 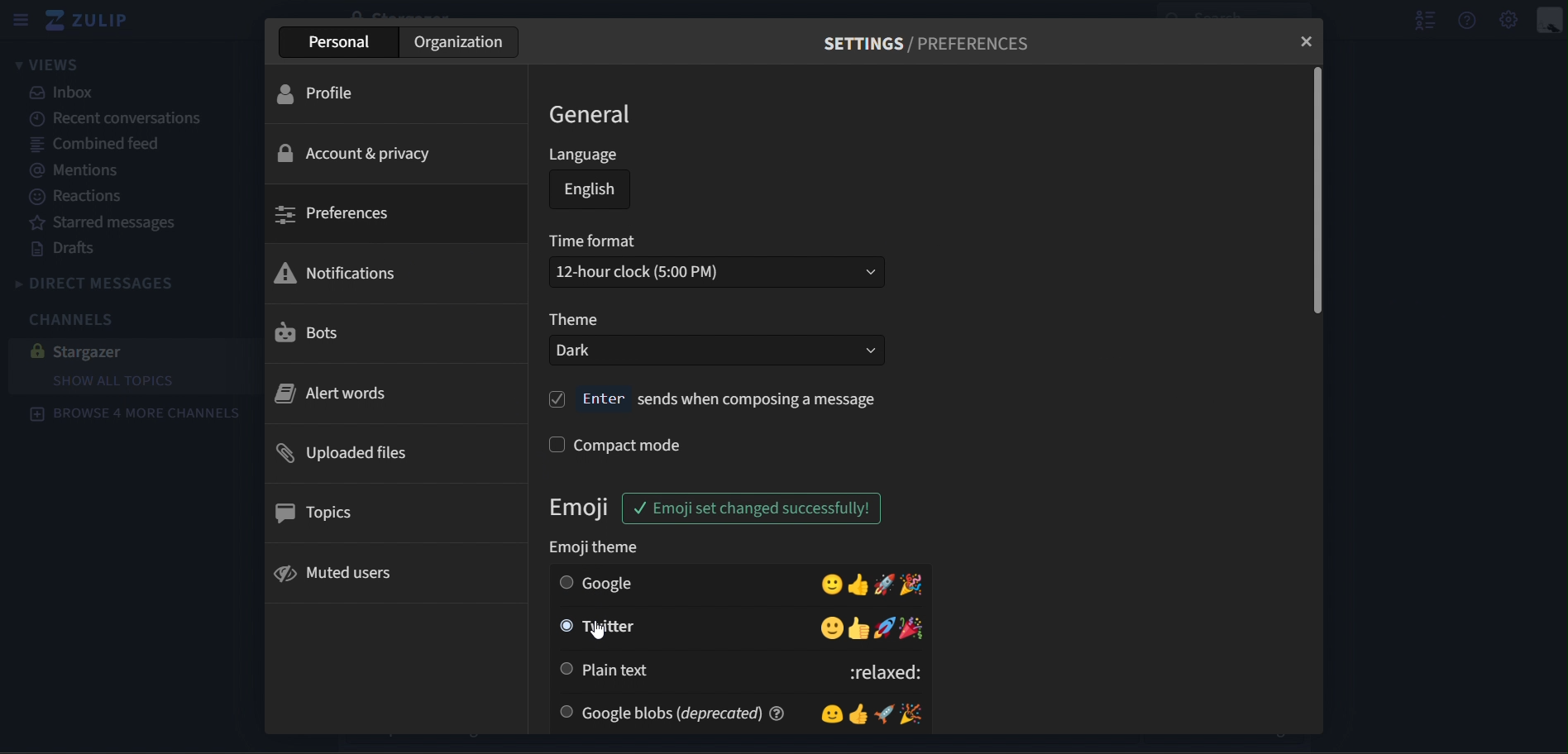 I want to click on cursor, so click(x=597, y=635).